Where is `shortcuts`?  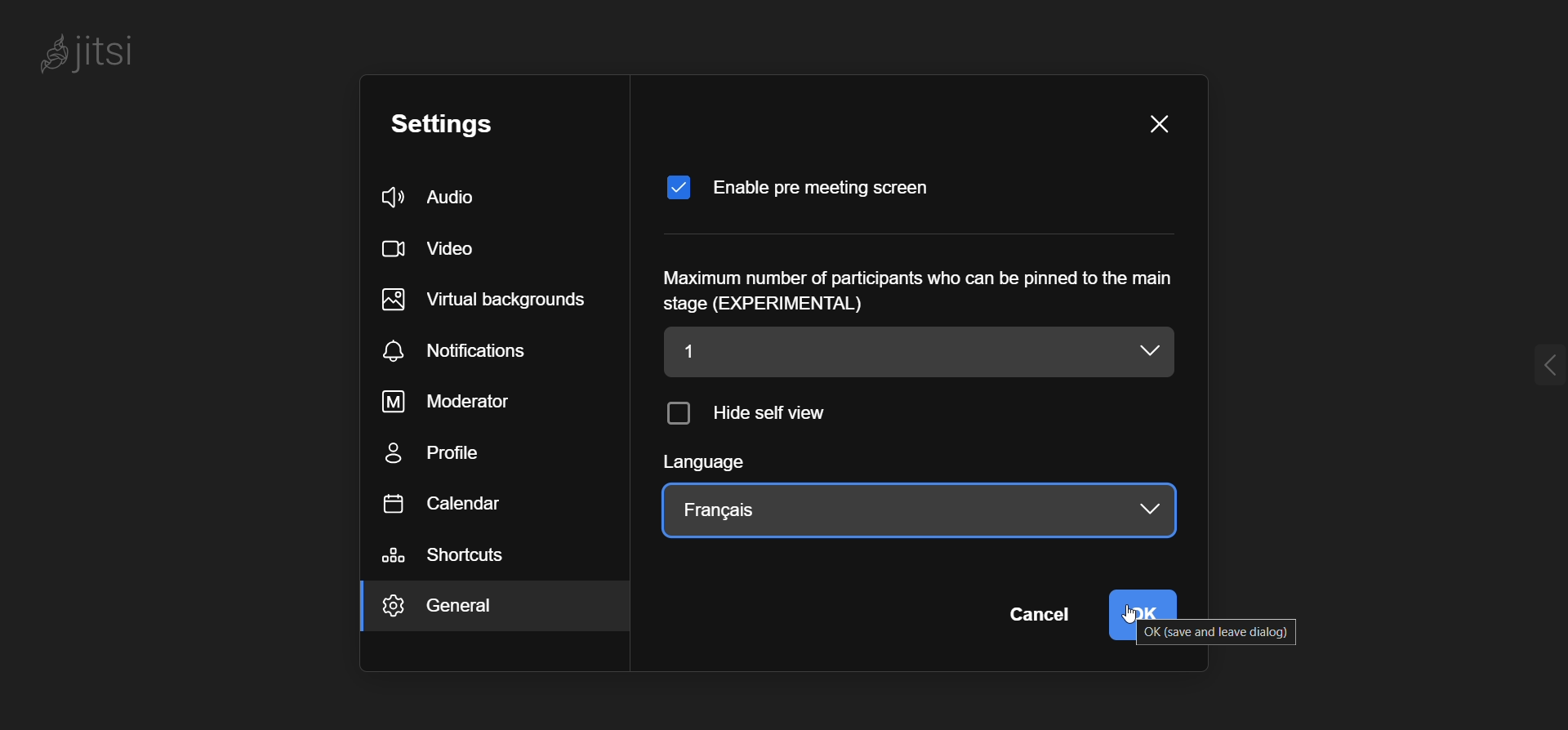 shortcuts is located at coordinates (453, 556).